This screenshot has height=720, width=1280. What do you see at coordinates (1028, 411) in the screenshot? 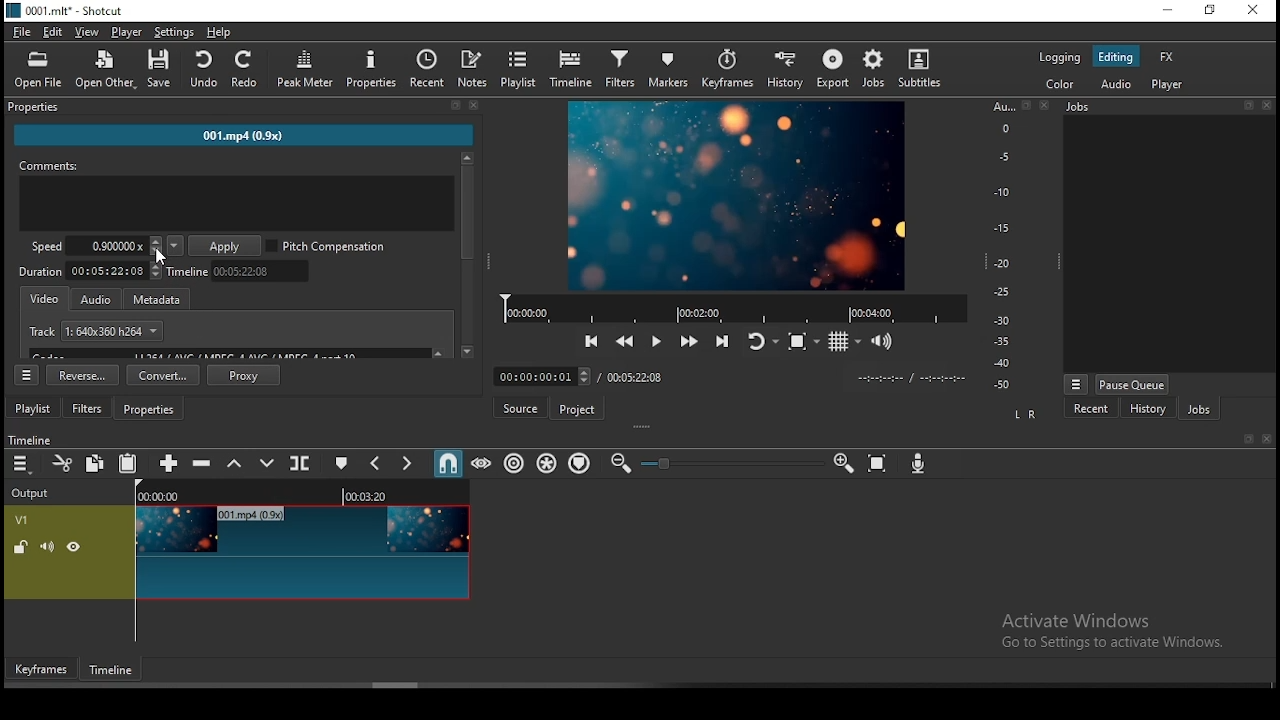
I see `LR` at bounding box center [1028, 411].